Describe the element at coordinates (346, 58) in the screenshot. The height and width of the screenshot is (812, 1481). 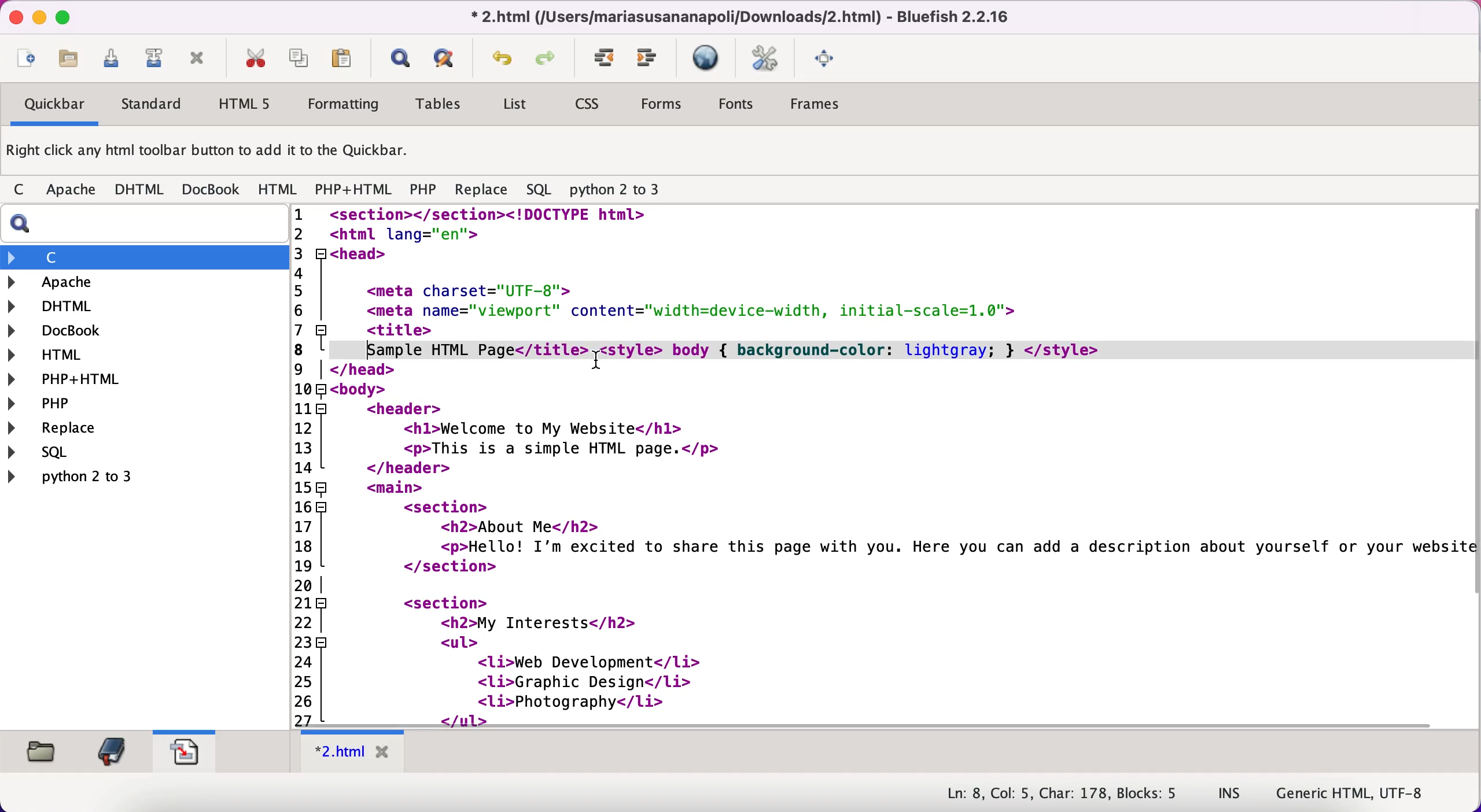
I see `paste` at that location.